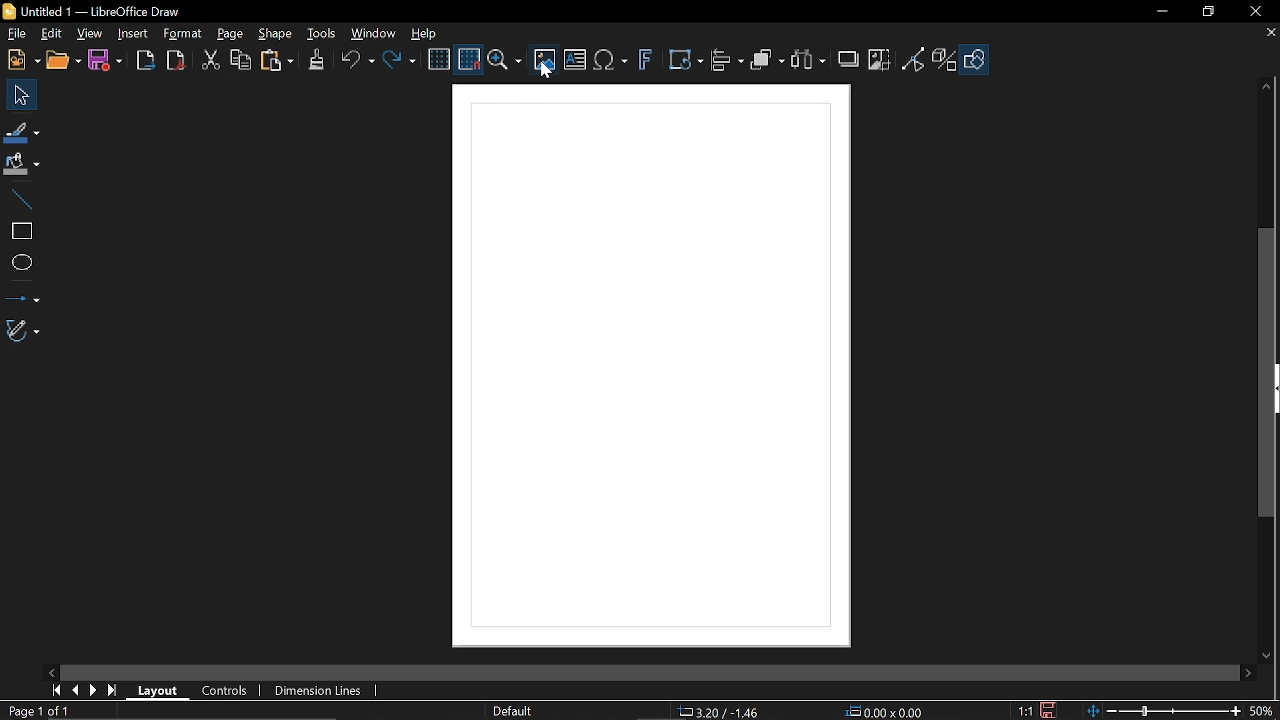  I want to click on Insert image, so click(546, 62).